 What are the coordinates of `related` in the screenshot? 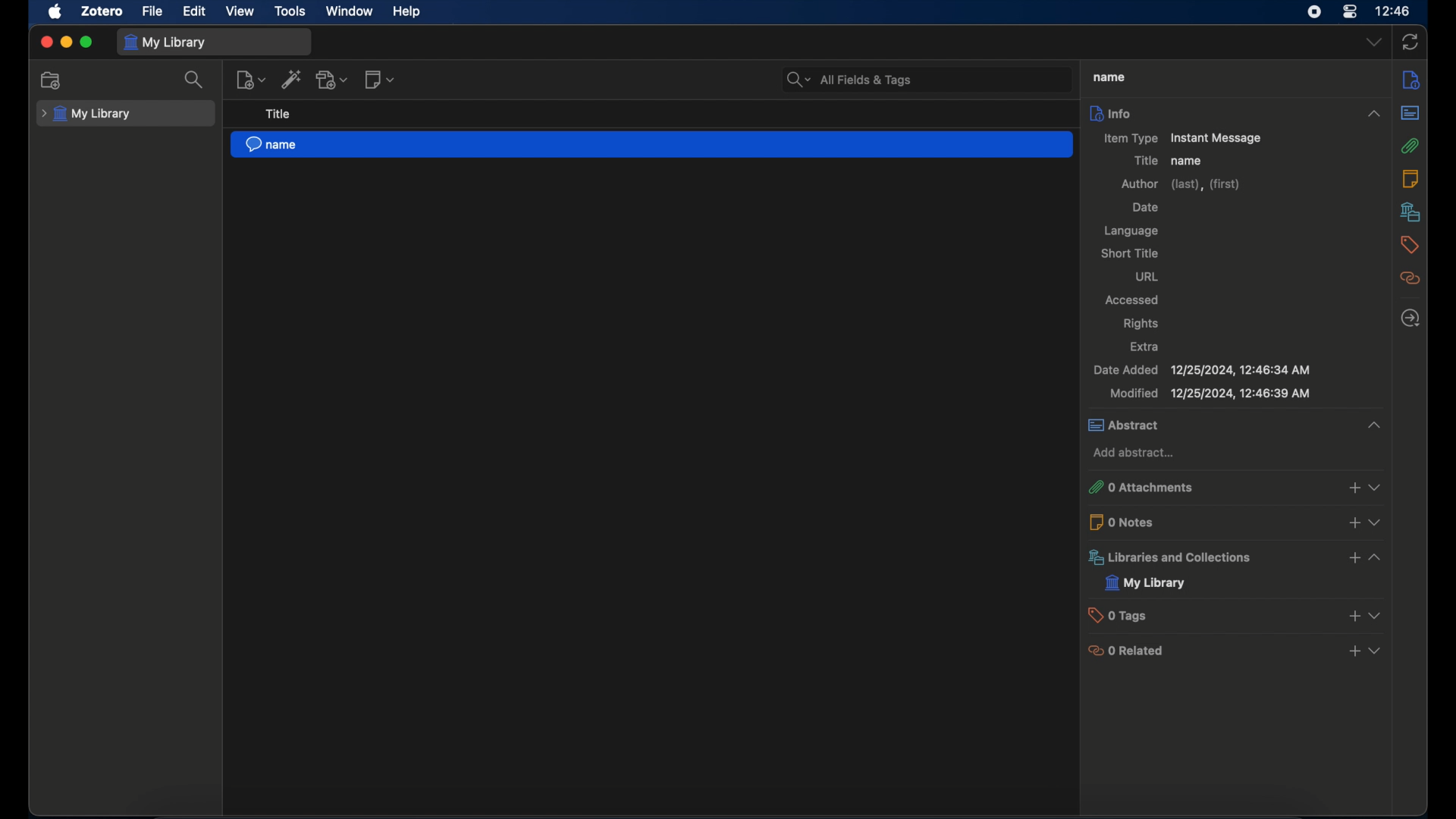 It's located at (1411, 278).